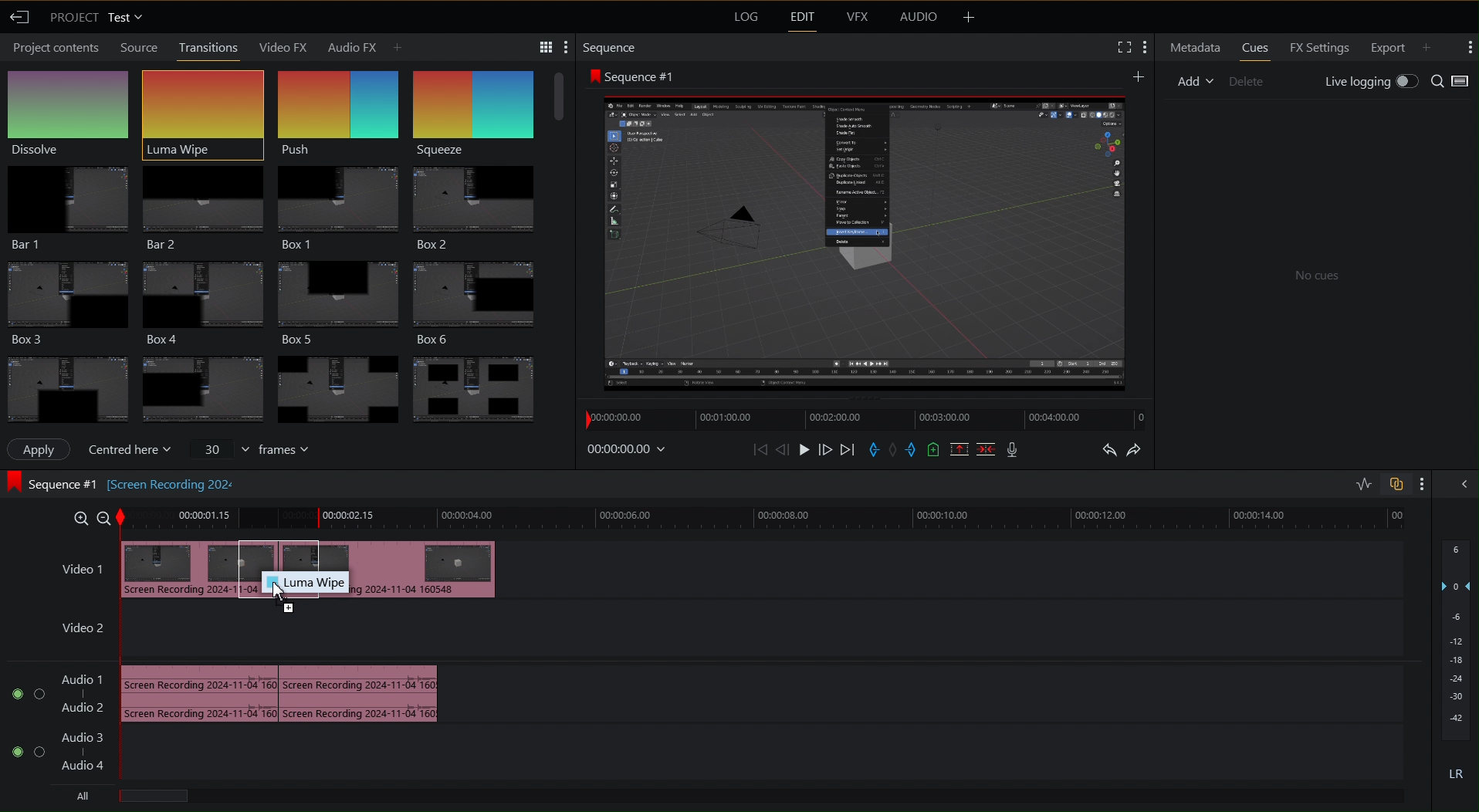  I want to click on Delete/Cut, so click(987, 449).